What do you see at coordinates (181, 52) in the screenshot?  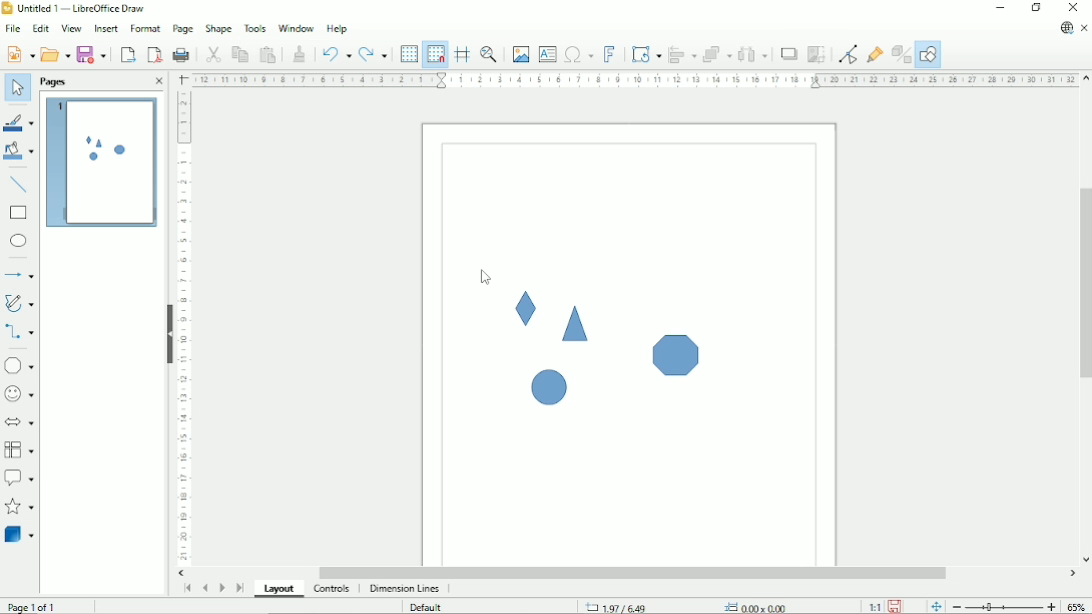 I see `Print` at bounding box center [181, 52].